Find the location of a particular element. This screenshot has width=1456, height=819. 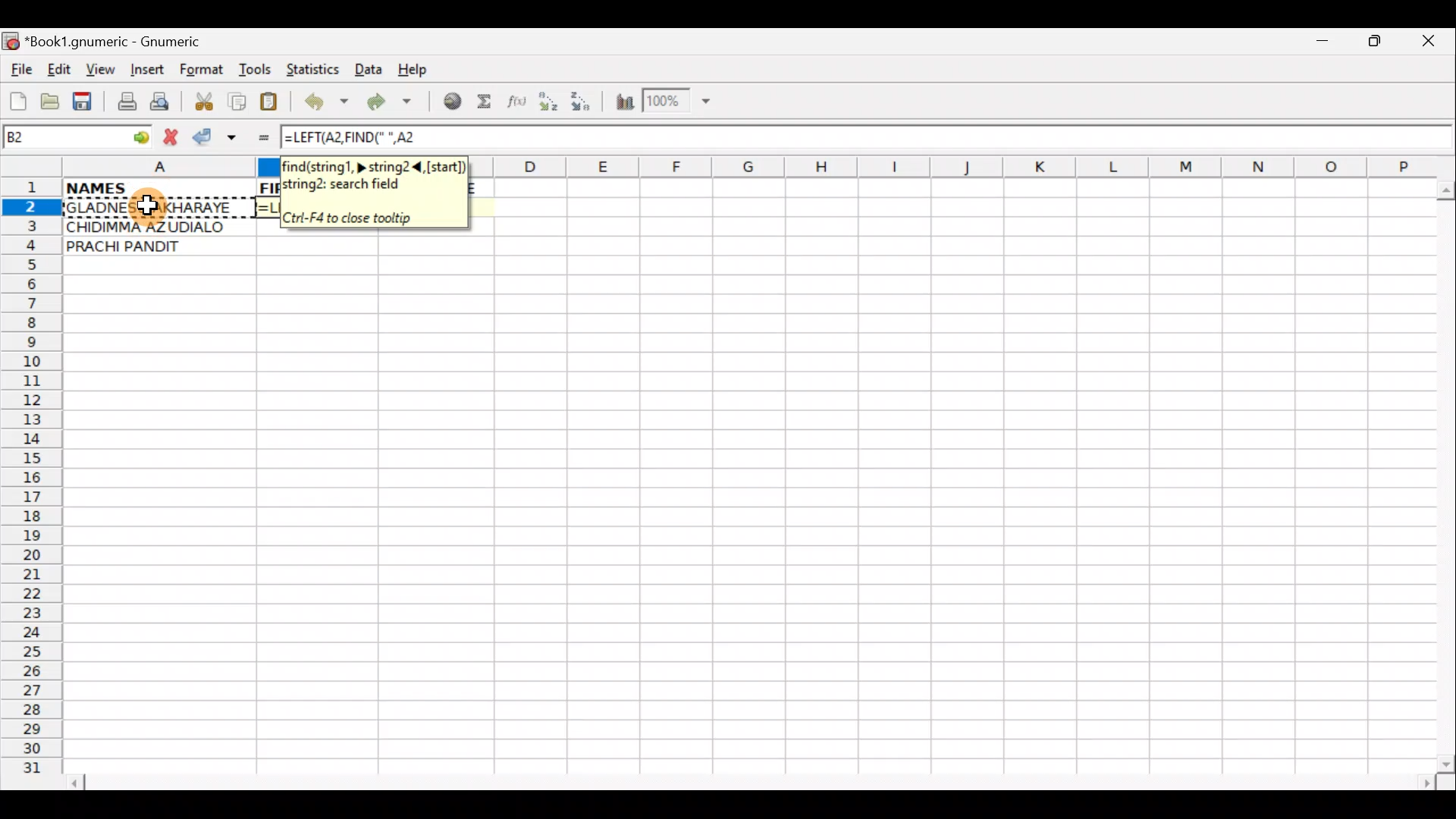

Tools is located at coordinates (256, 70).